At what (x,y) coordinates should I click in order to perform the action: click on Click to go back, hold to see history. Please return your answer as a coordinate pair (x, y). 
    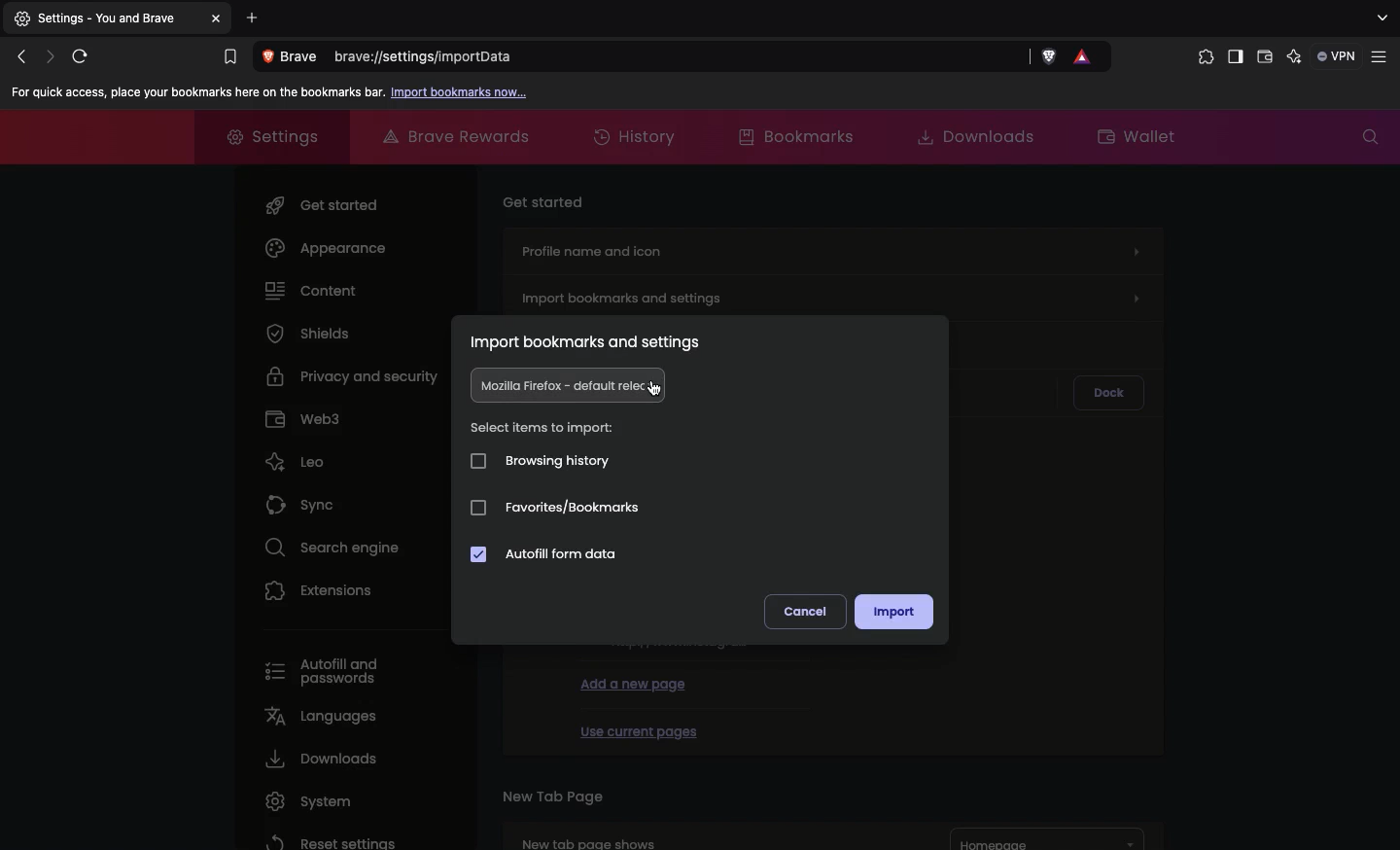
    Looking at the image, I should click on (20, 57).